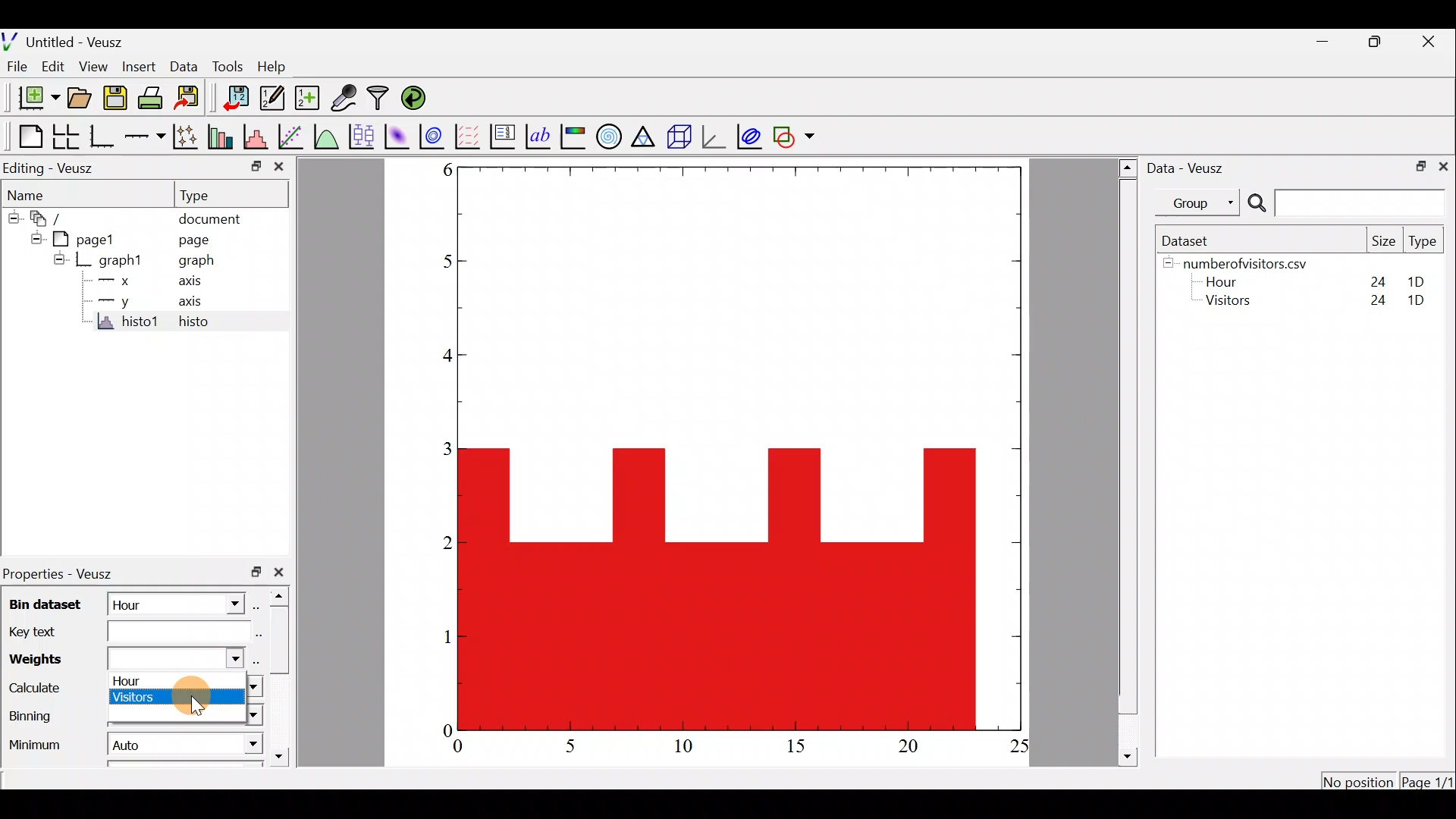 Image resolution: width=1456 pixels, height=819 pixels. I want to click on Binning, so click(33, 720).